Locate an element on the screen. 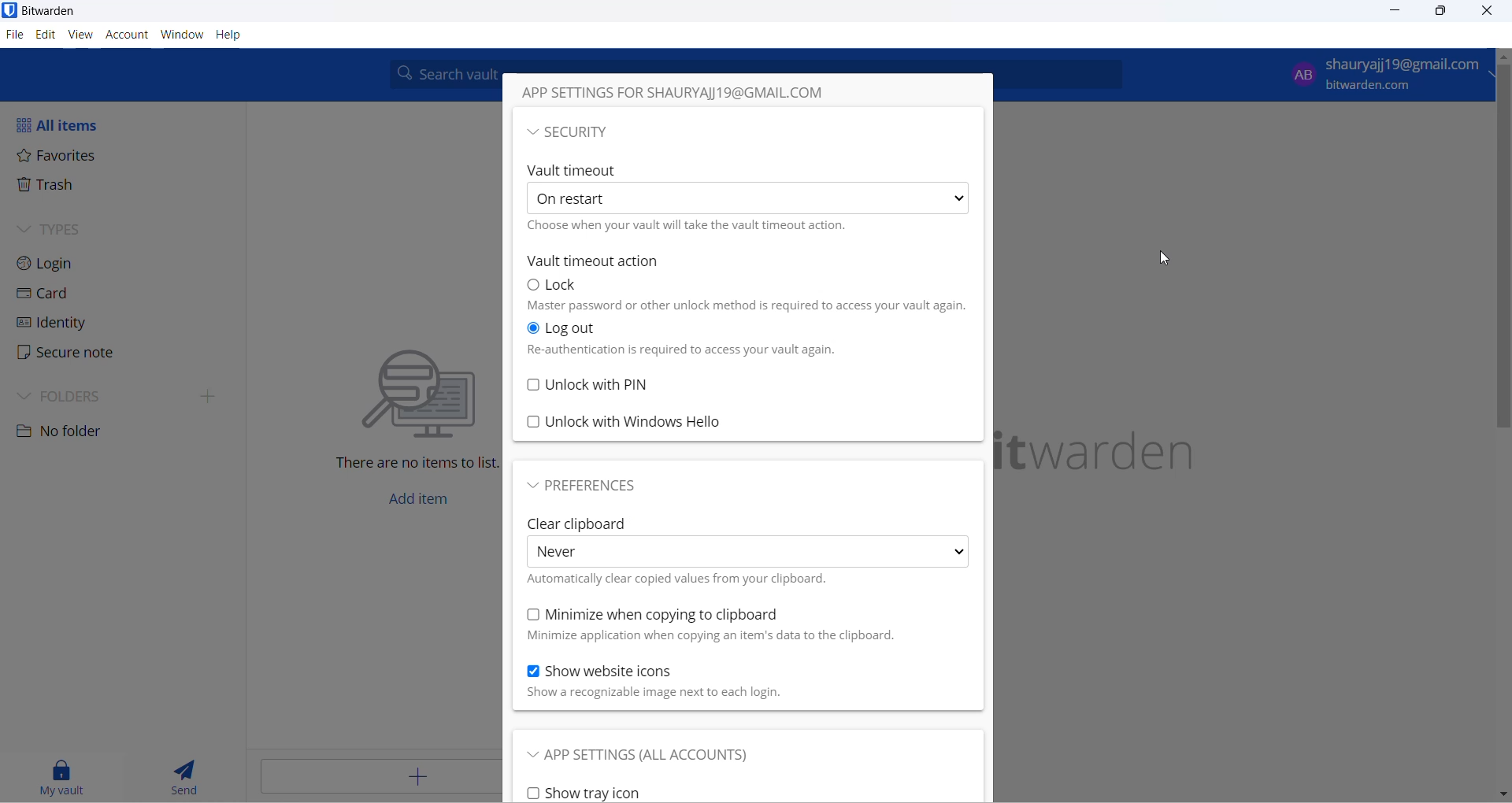 This screenshot has width=1512, height=803. Login is located at coordinates (63, 264).